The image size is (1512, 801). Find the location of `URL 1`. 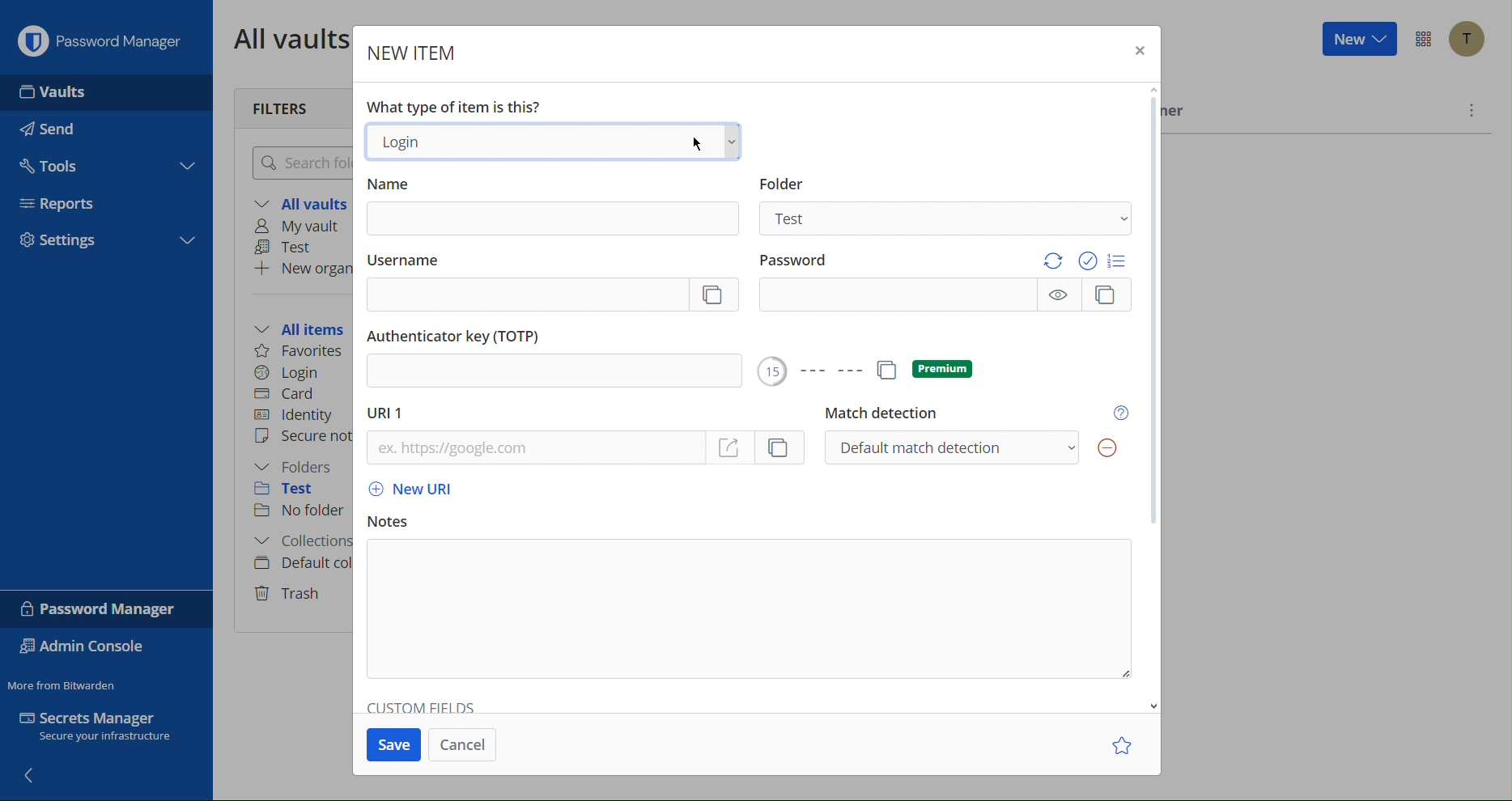

URL 1 is located at coordinates (393, 413).